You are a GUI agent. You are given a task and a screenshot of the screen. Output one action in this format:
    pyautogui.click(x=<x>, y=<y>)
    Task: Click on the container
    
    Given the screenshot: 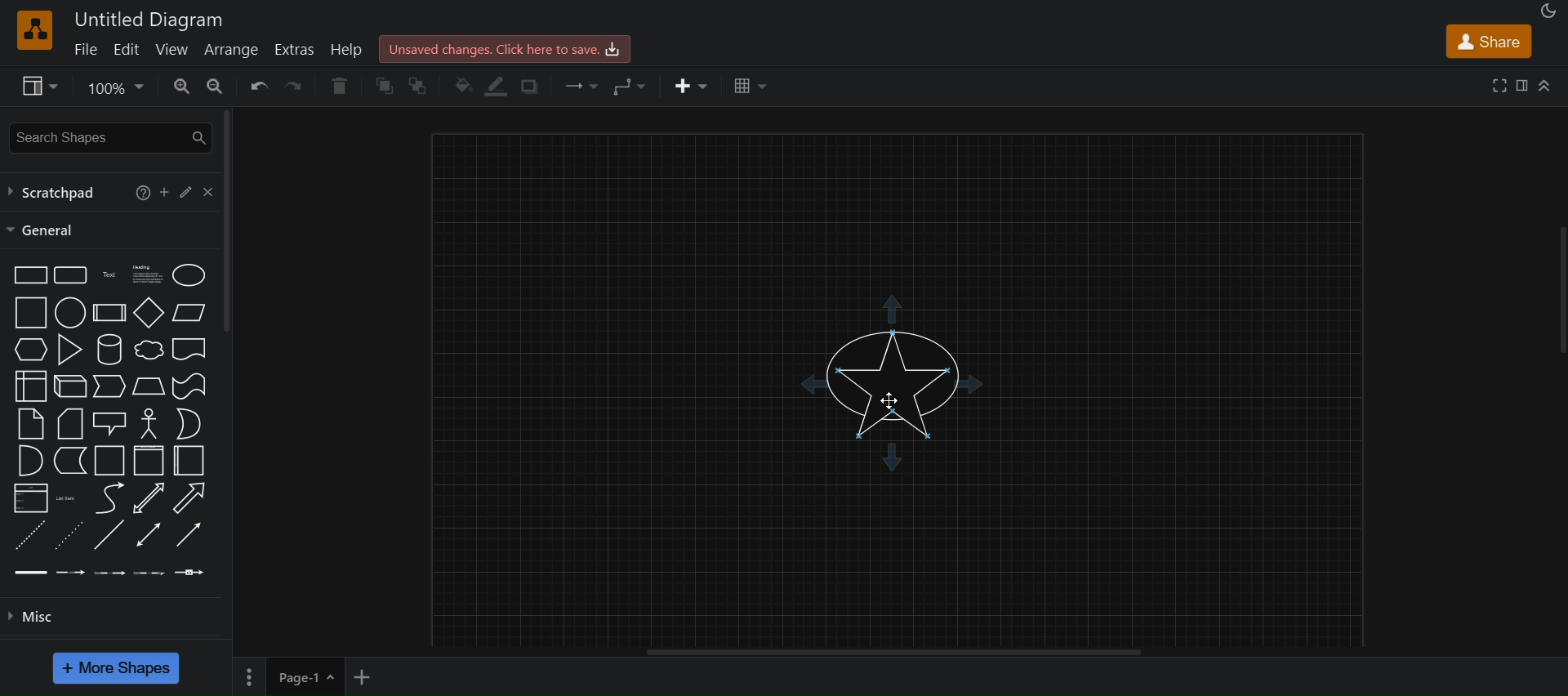 What is the action you would take?
    pyautogui.click(x=106, y=461)
    